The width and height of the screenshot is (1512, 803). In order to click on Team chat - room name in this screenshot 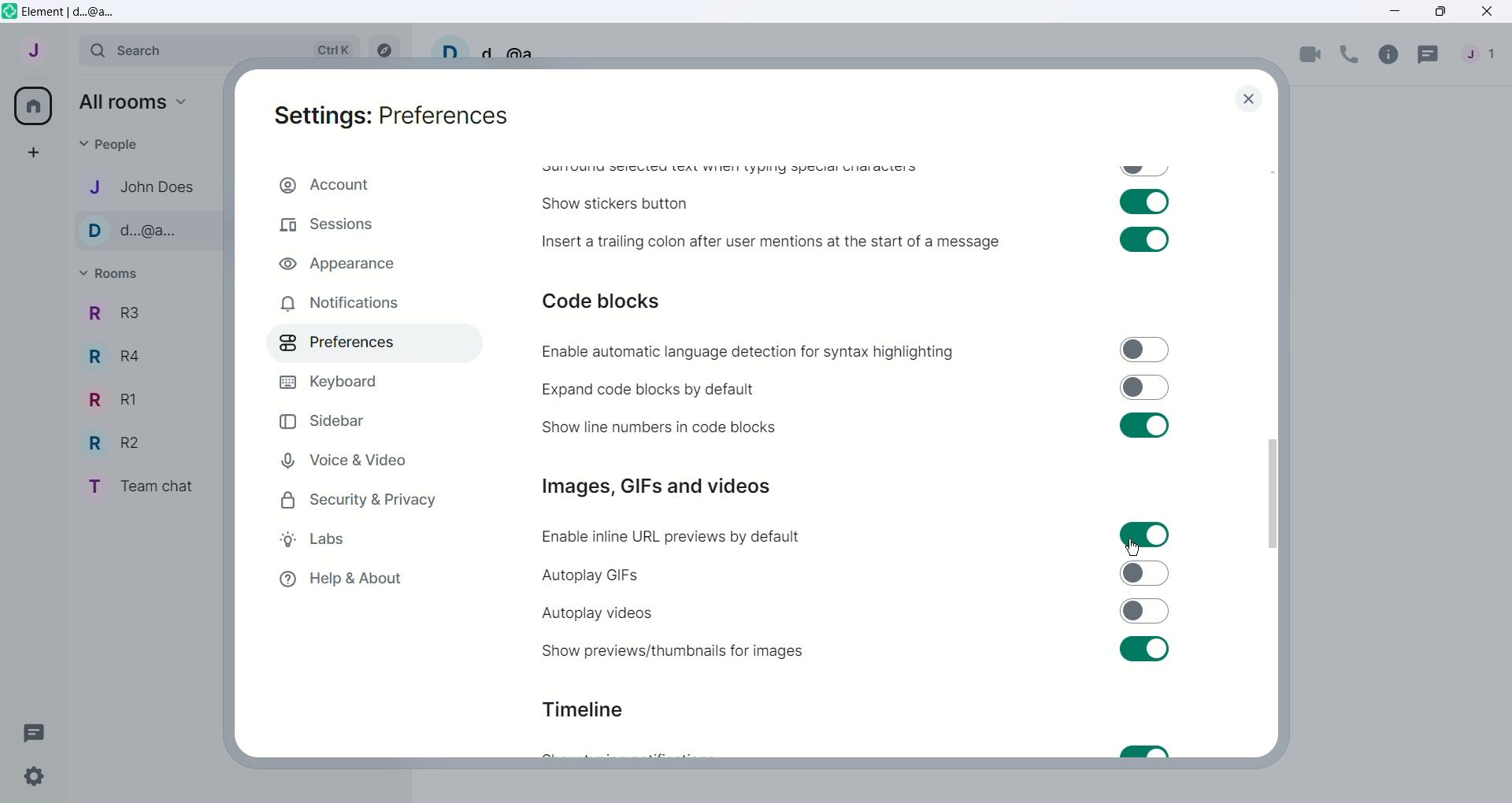, I will do `click(148, 486)`.